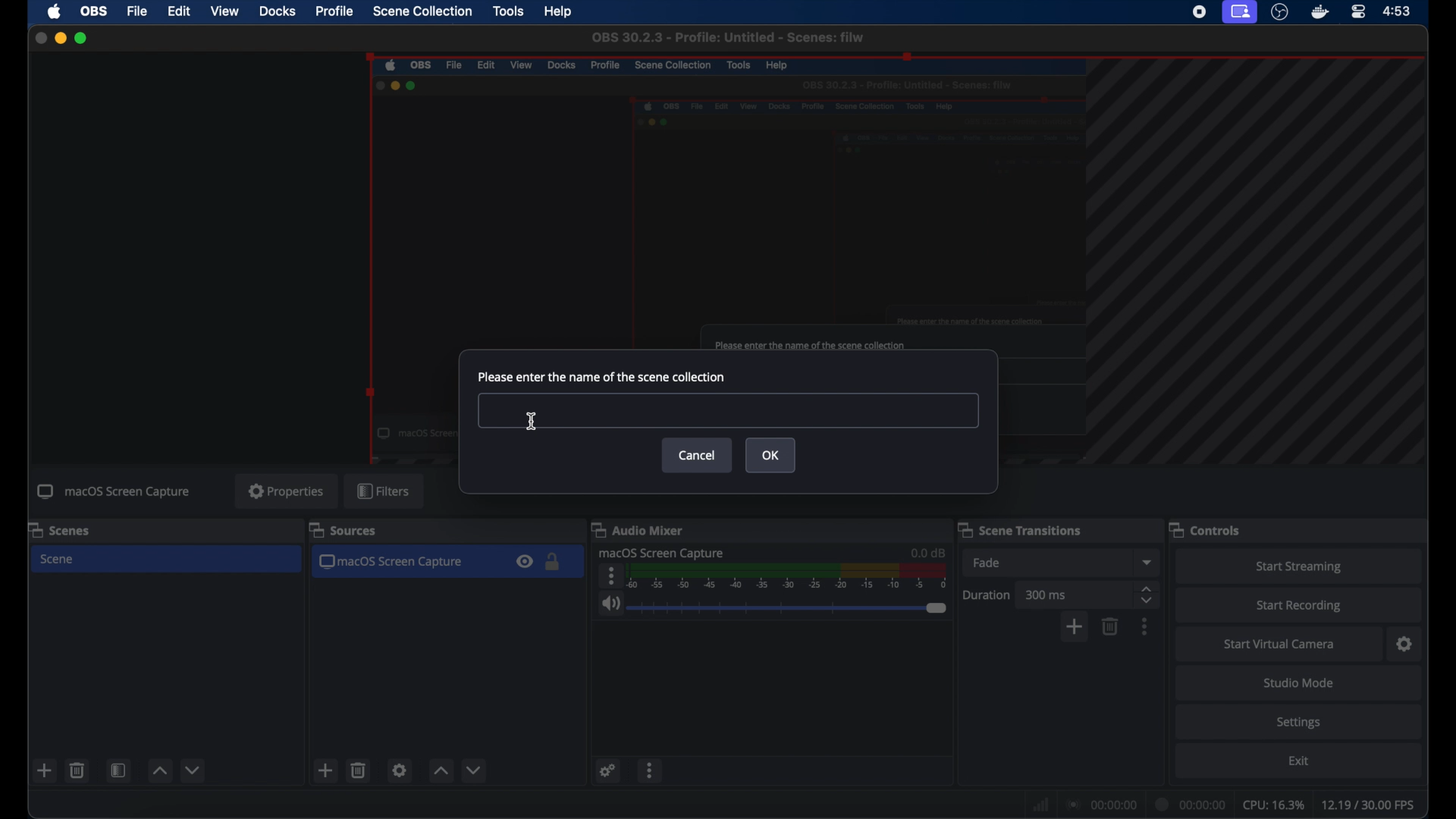 The width and height of the screenshot is (1456, 819). What do you see at coordinates (358, 770) in the screenshot?
I see `trash` at bounding box center [358, 770].